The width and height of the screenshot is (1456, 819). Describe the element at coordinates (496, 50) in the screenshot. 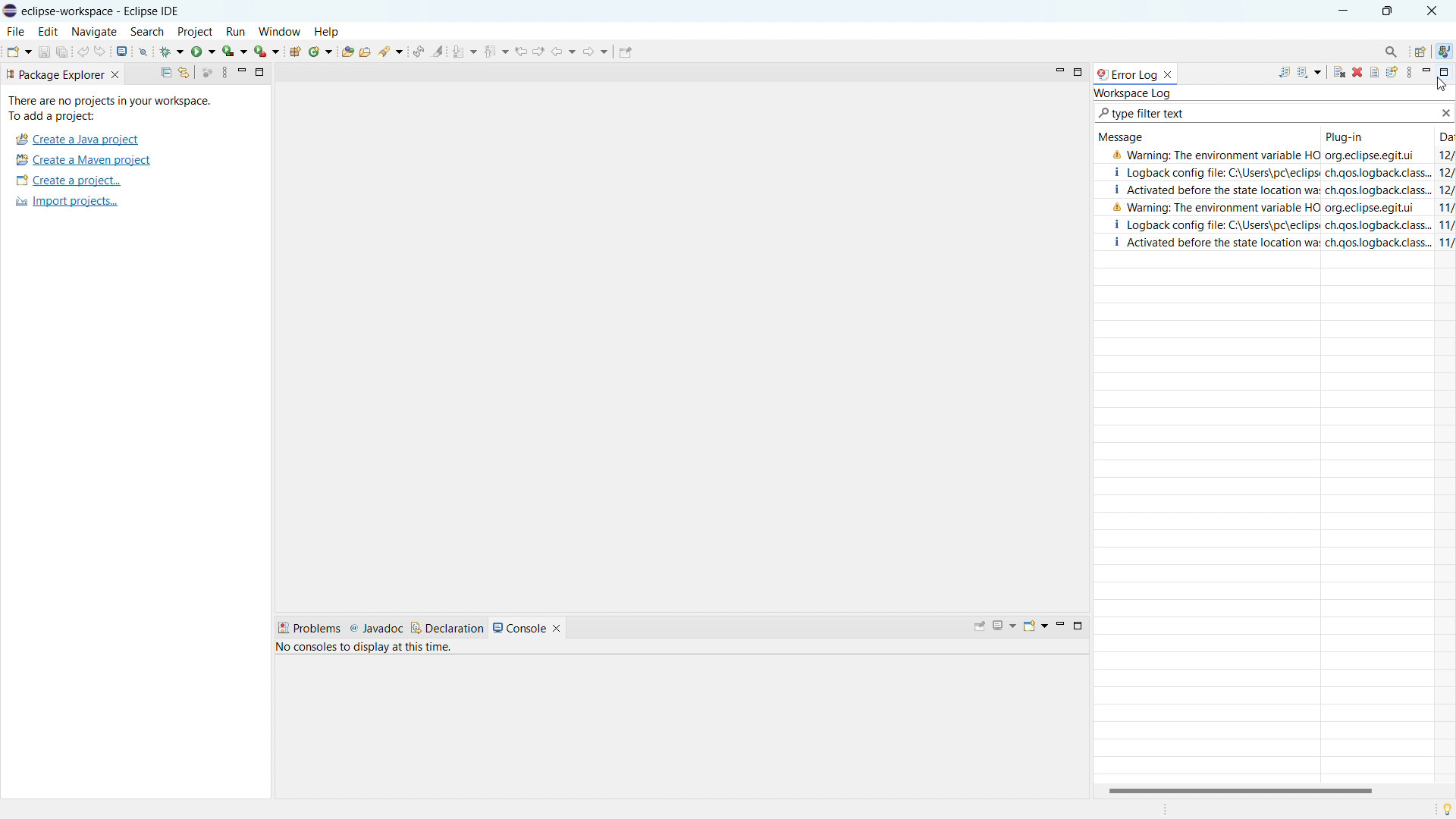

I see `previous annotation` at that location.